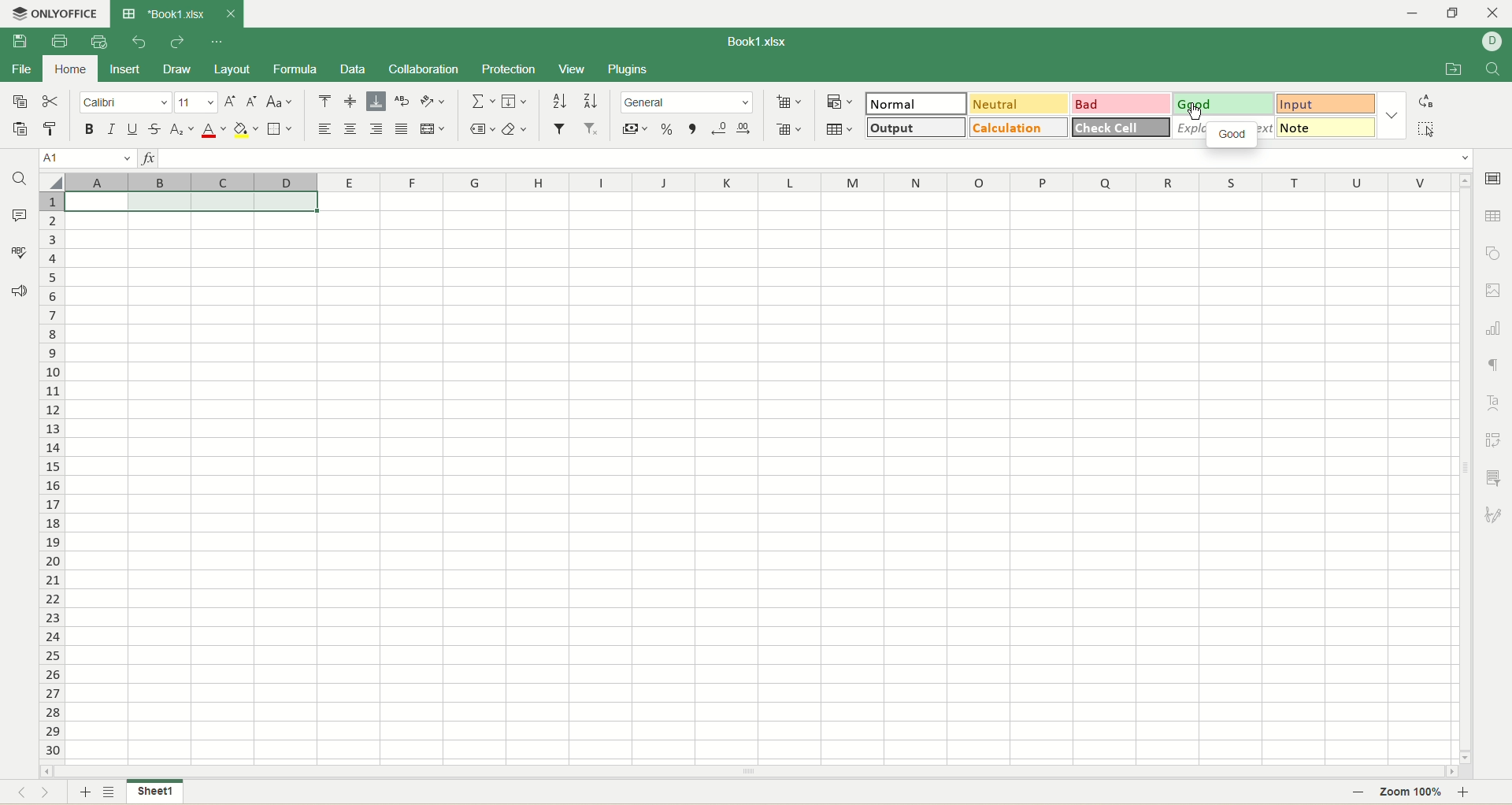 The height and width of the screenshot is (805, 1512). Describe the element at coordinates (1494, 361) in the screenshot. I see `paragraph settings` at that location.